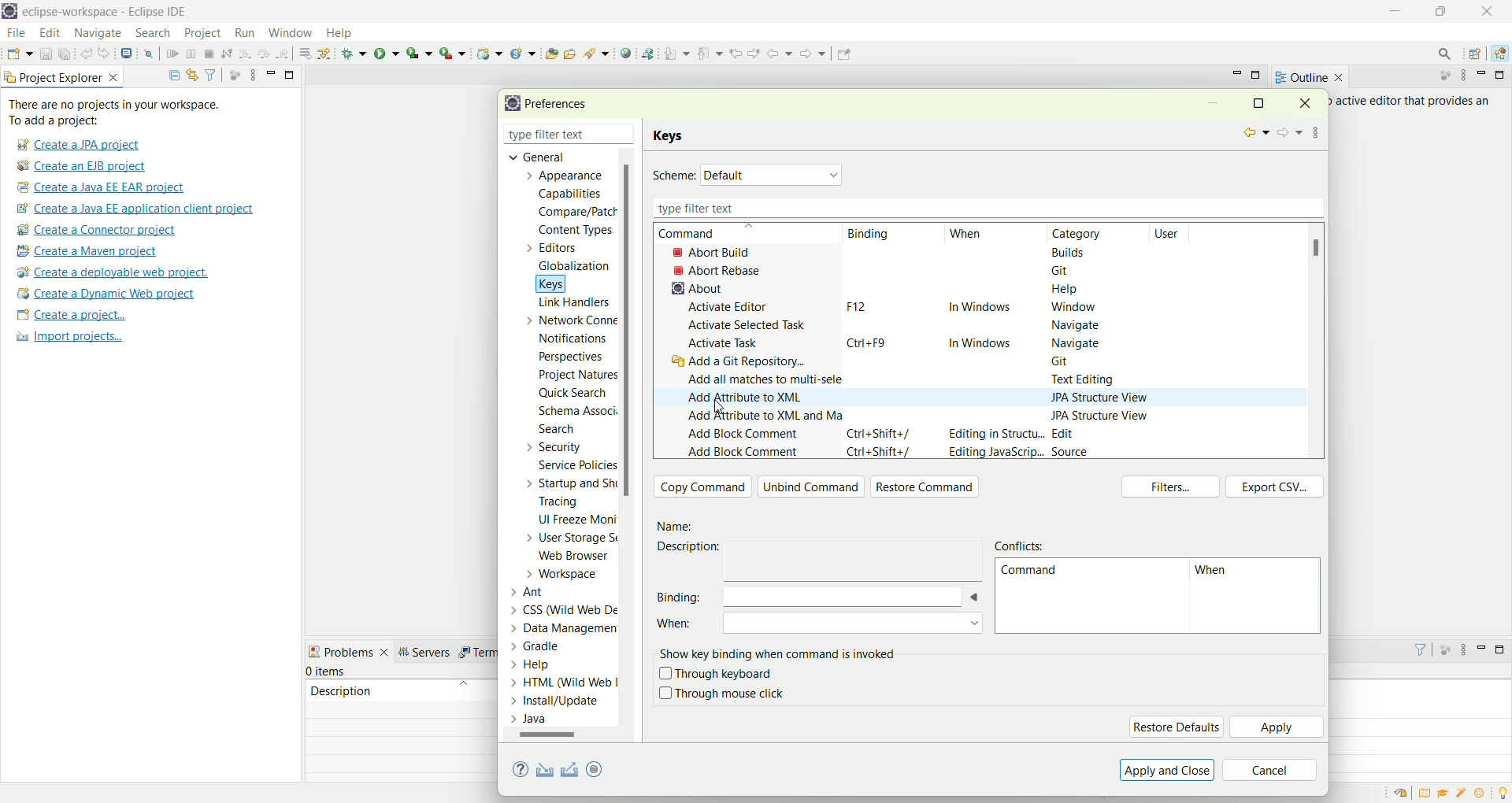 This screenshot has height=803, width=1512. I want to click on problems, so click(349, 650).